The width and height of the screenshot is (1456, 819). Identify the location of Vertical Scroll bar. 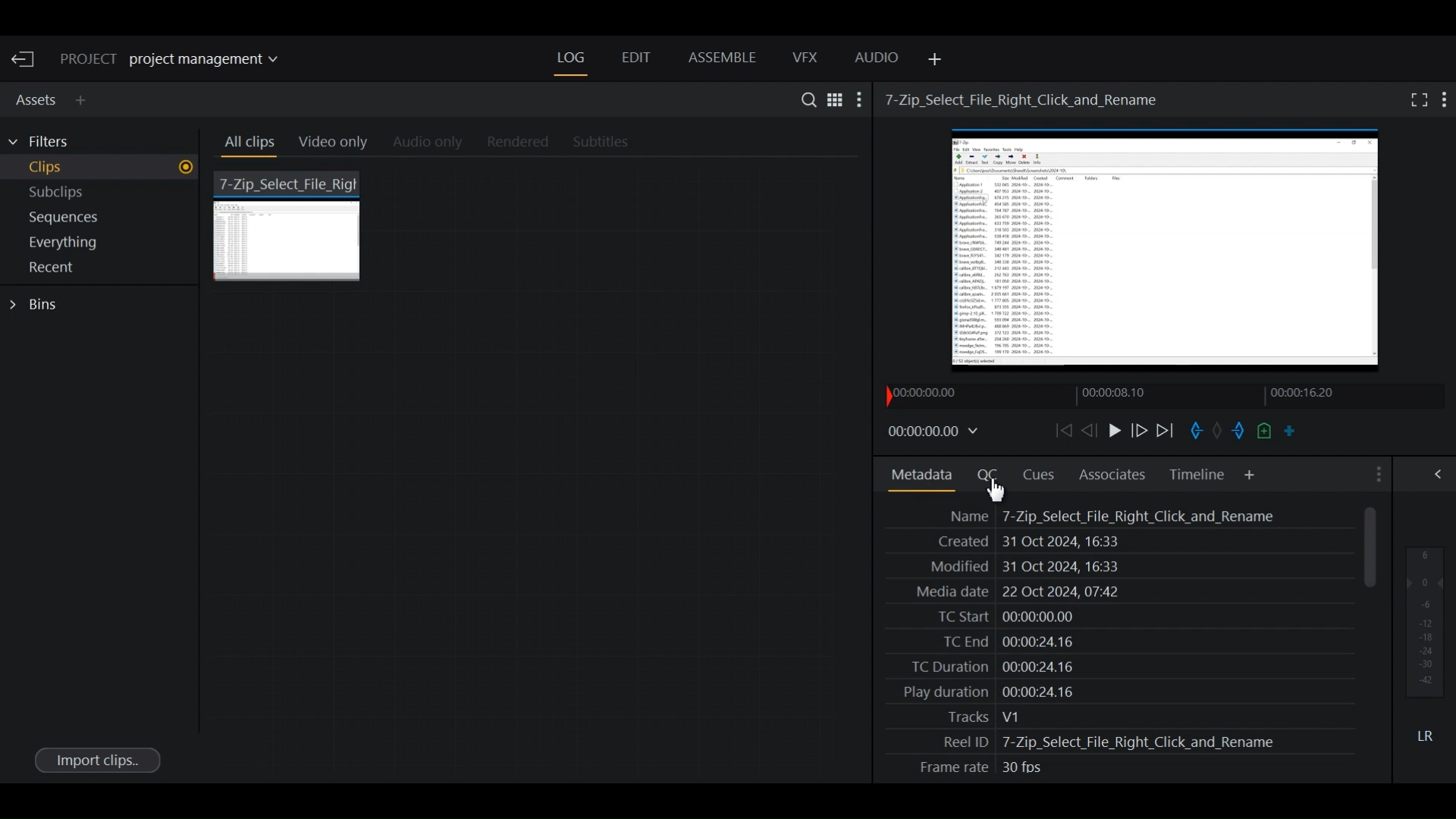
(1371, 549).